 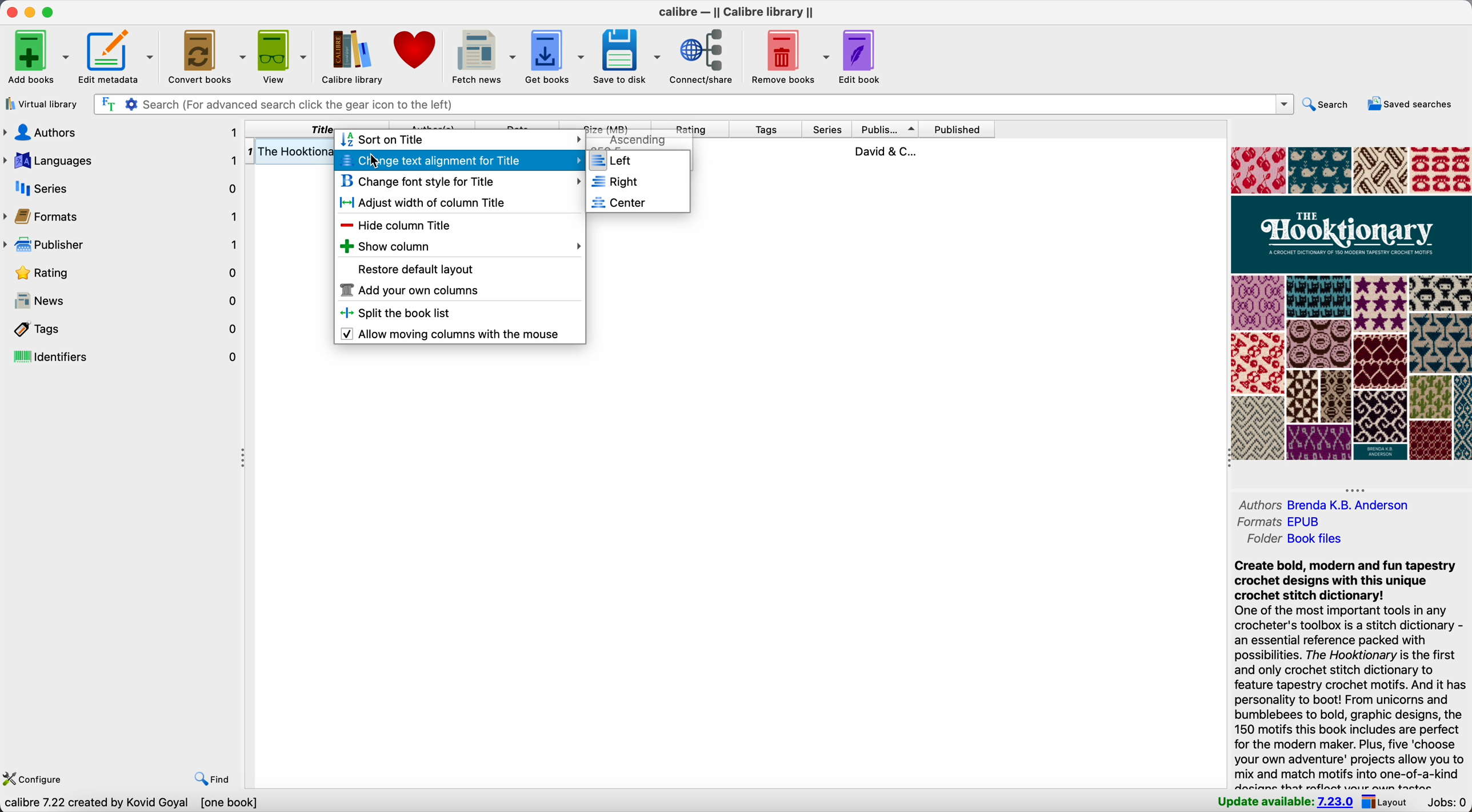 I want to click on remove books, so click(x=789, y=57).